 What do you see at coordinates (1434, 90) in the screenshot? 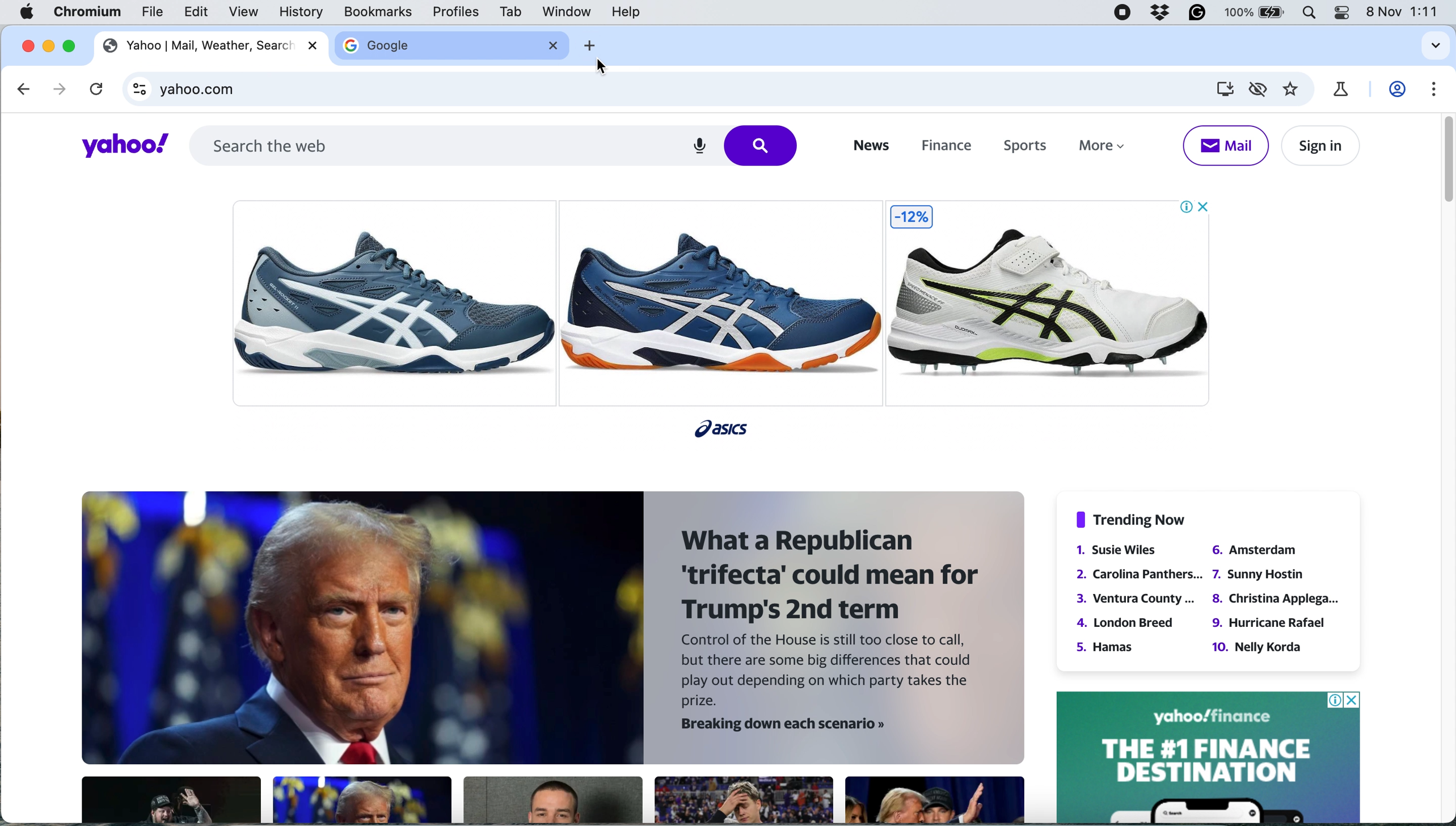
I see `settings` at bounding box center [1434, 90].